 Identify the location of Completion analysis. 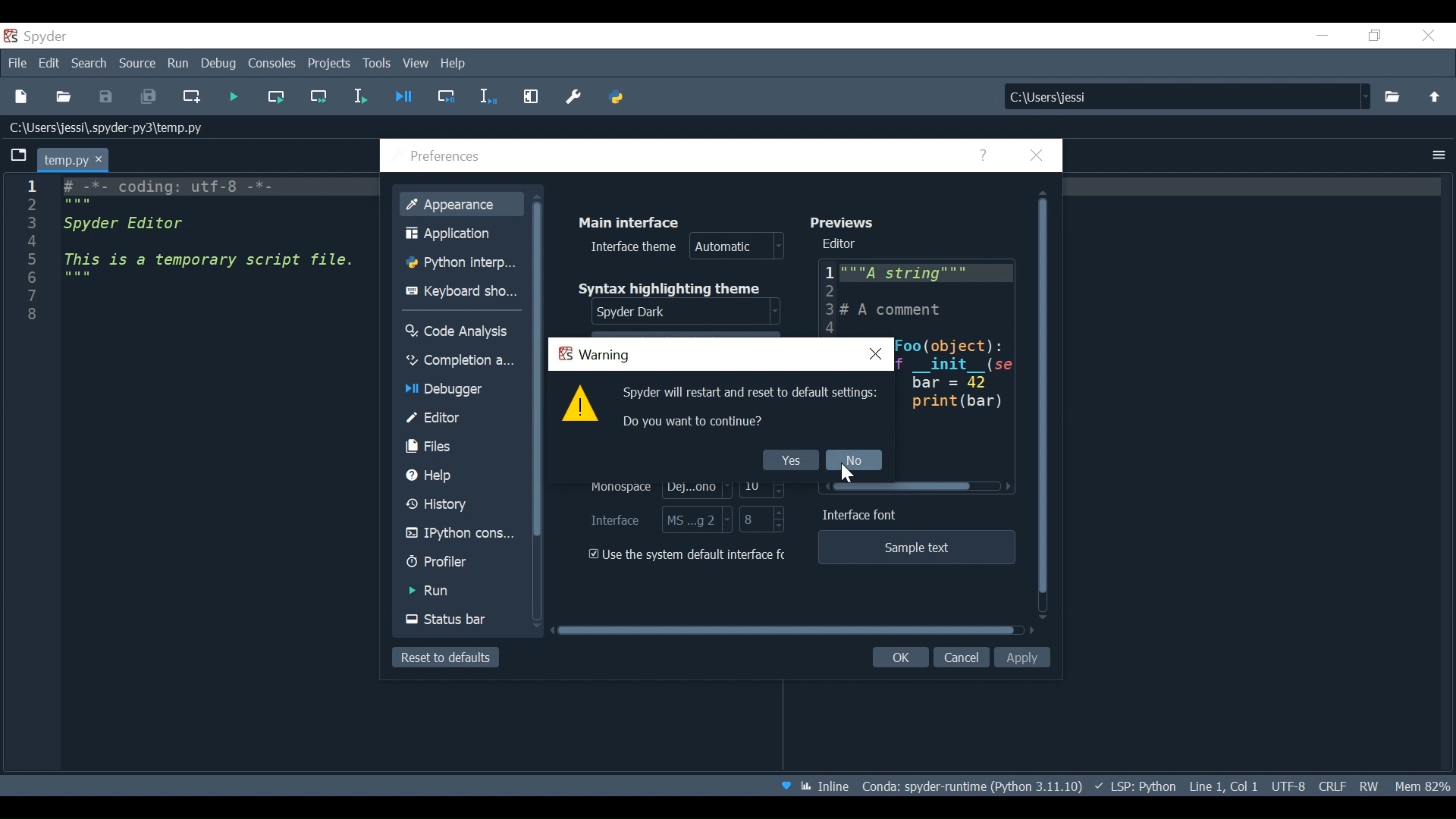
(462, 359).